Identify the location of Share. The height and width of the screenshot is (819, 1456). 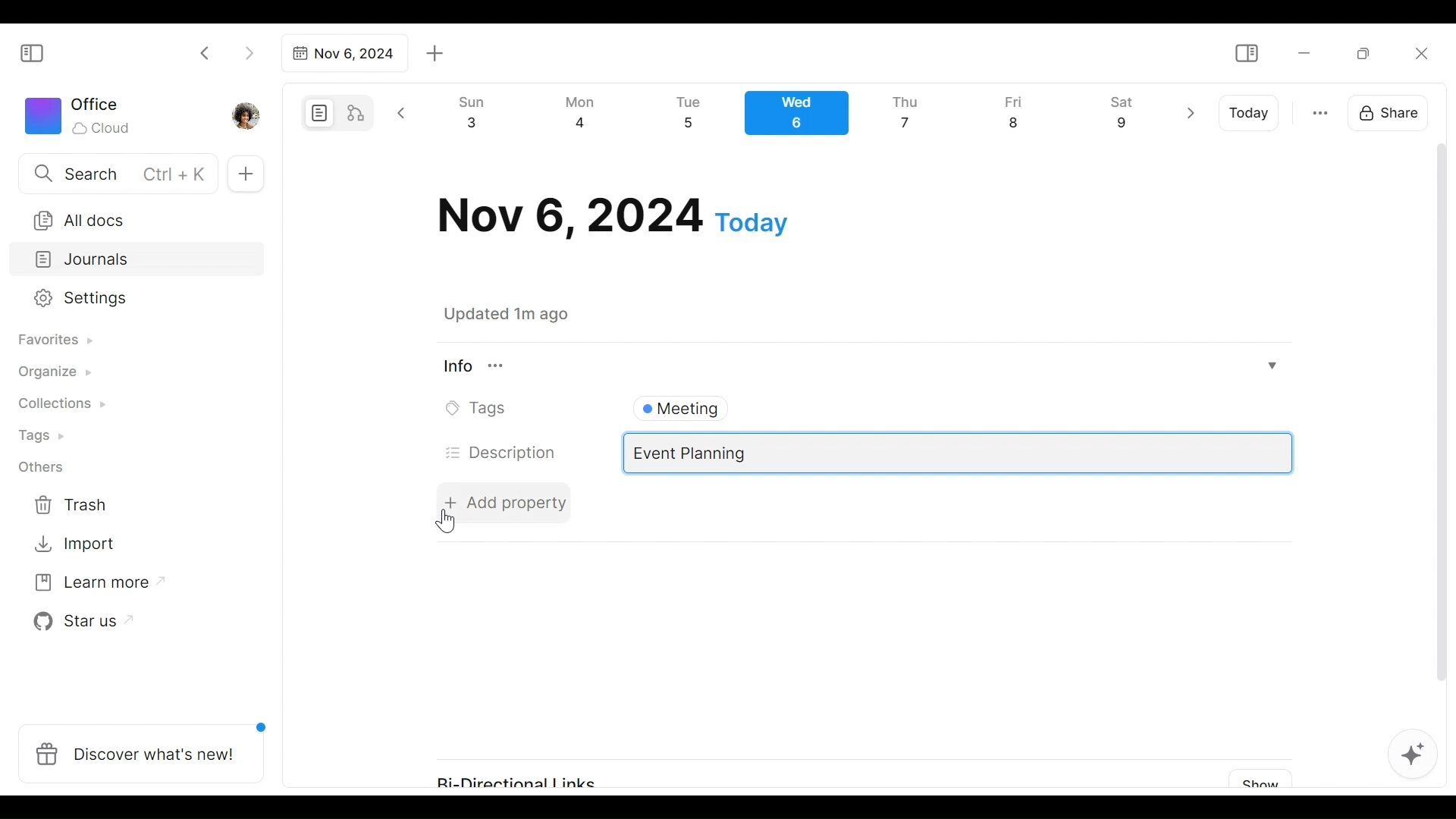
(1393, 111).